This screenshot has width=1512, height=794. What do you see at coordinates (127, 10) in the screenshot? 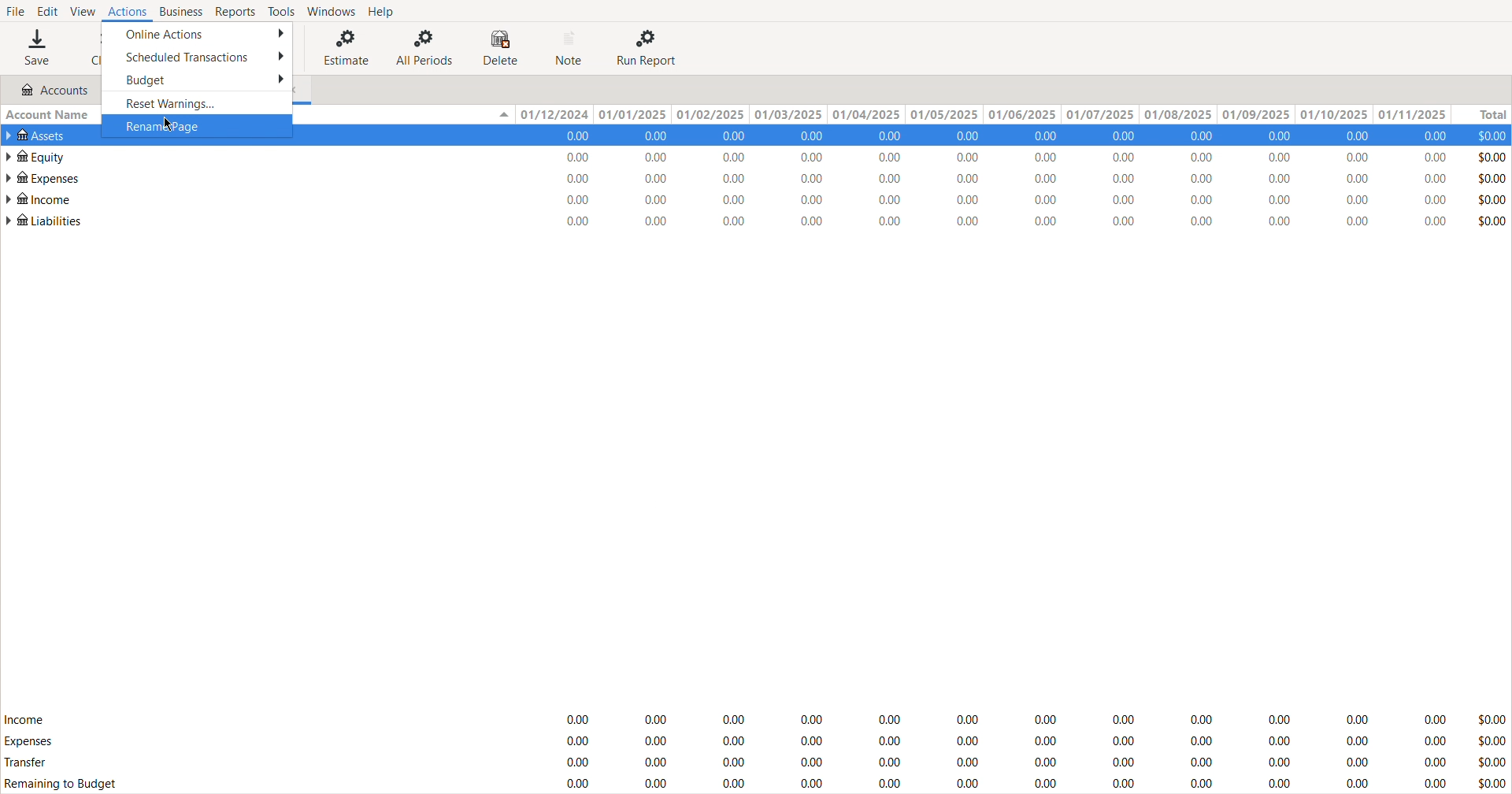
I see `Actions` at bounding box center [127, 10].